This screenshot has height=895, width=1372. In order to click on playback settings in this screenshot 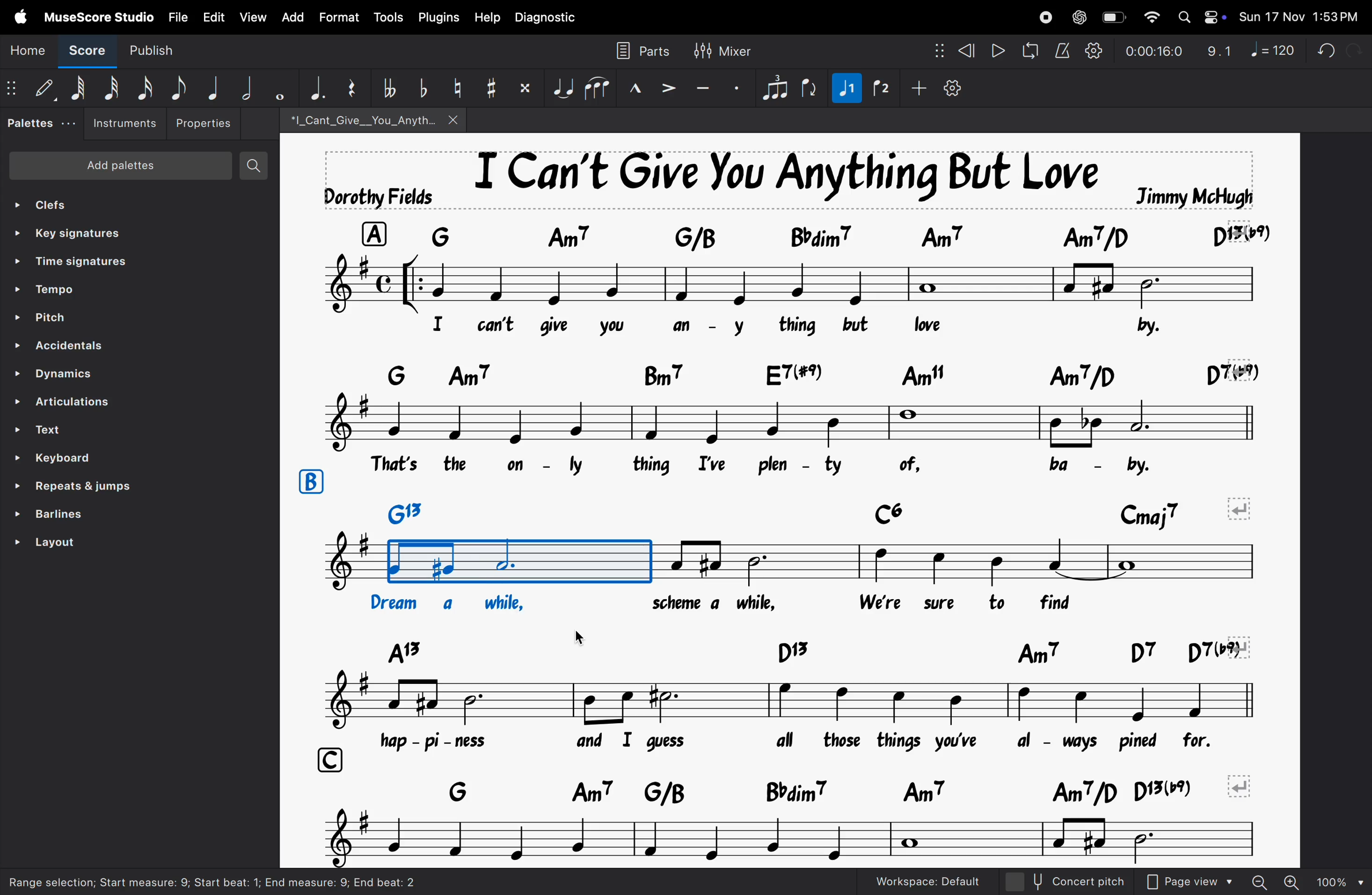, I will do `click(1093, 48)`.